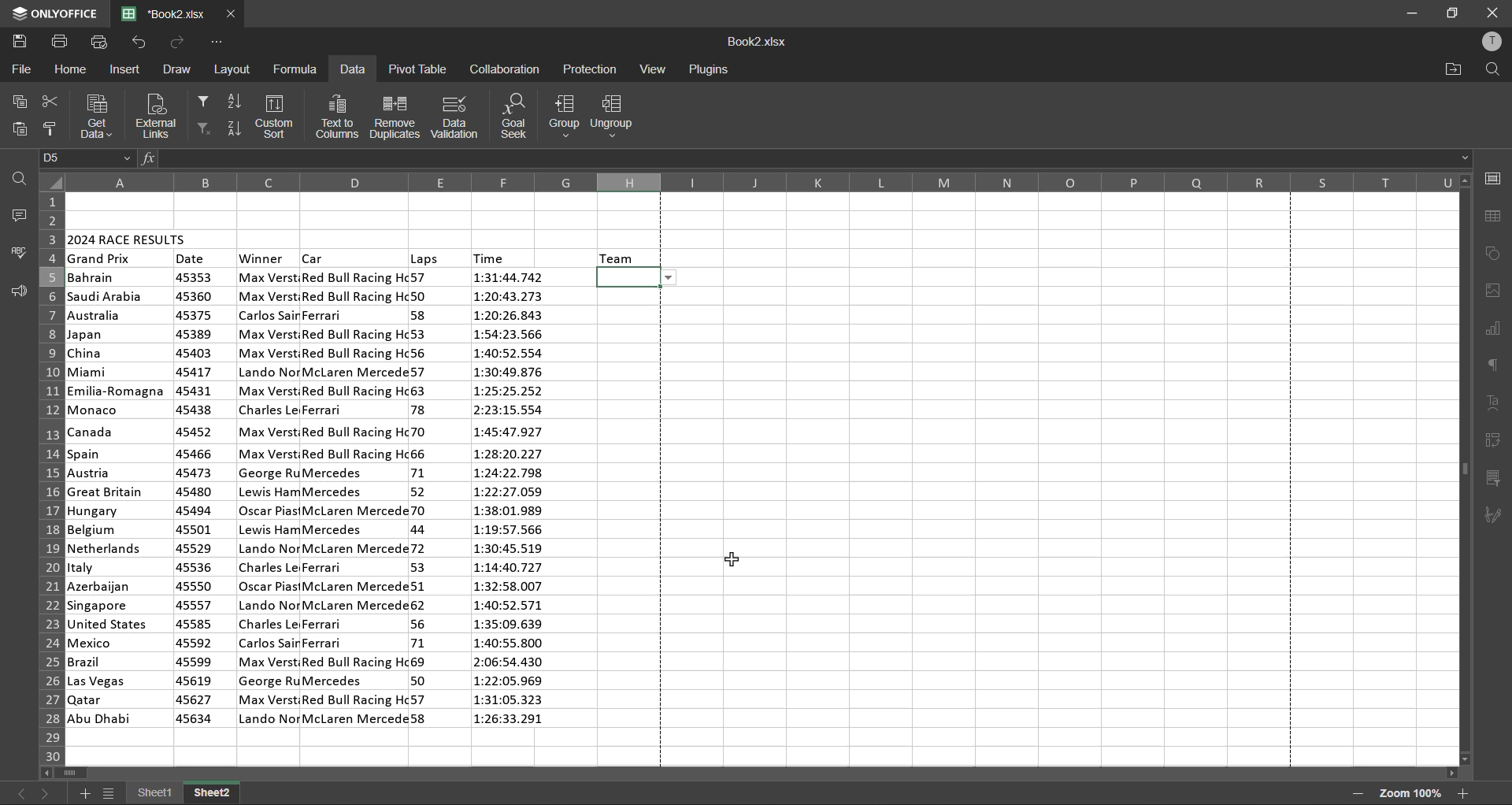 This screenshot has height=805, width=1512. What do you see at coordinates (354, 497) in the screenshot?
I see `car` at bounding box center [354, 497].